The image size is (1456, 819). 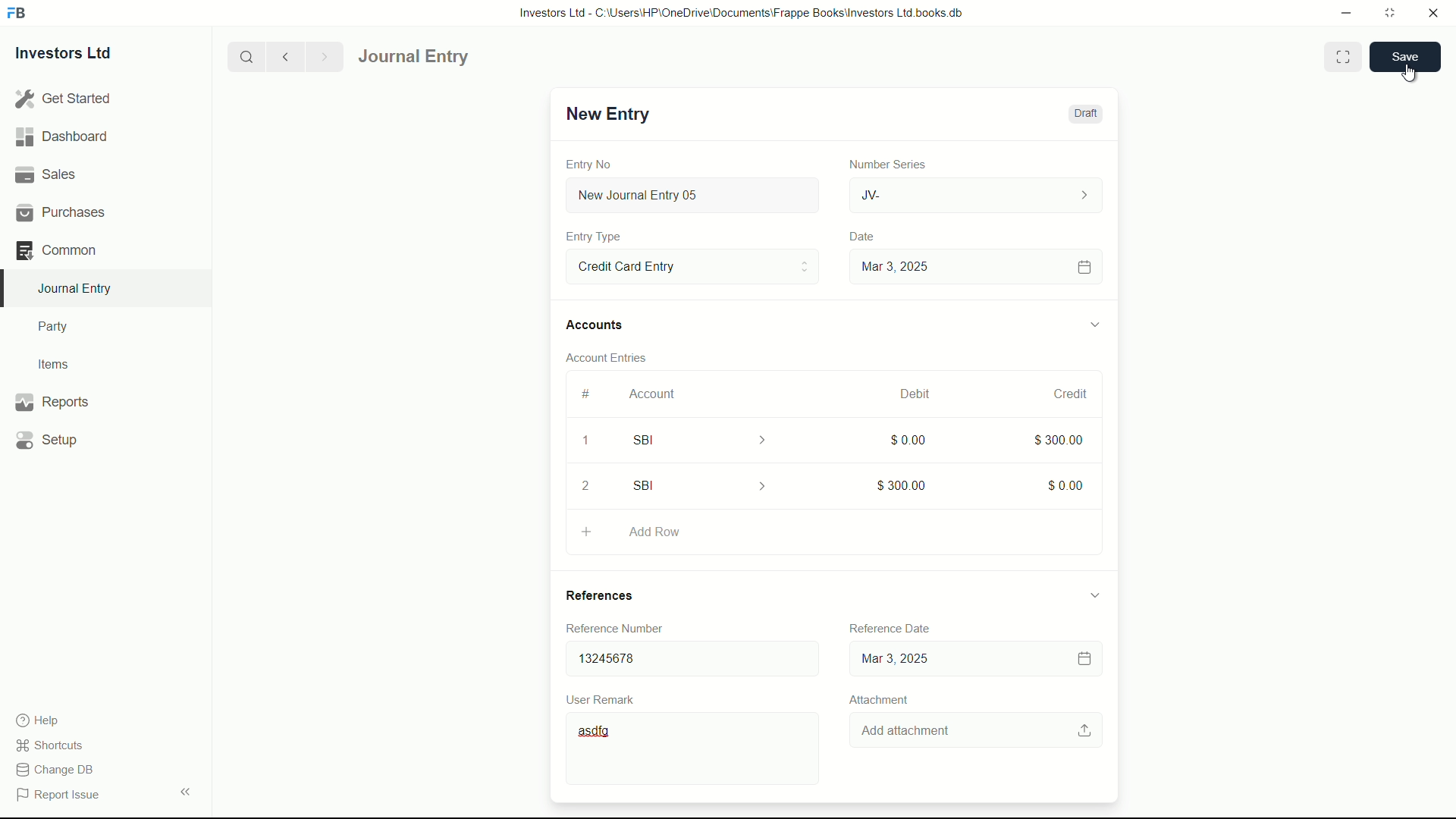 I want to click on $300.00, so click(x=1060, y=438).